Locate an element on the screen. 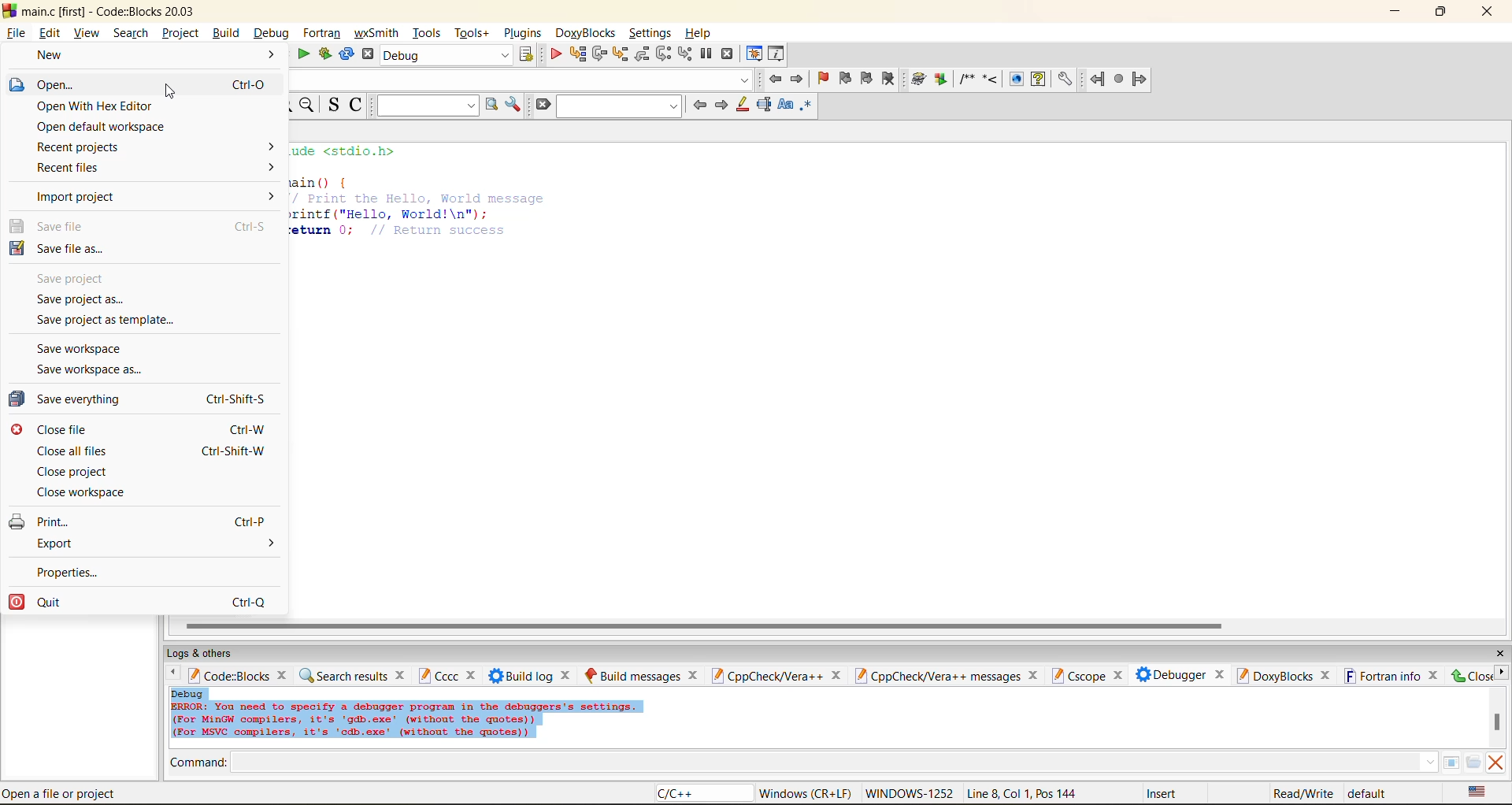  close is located at coordinates (1117, 676).